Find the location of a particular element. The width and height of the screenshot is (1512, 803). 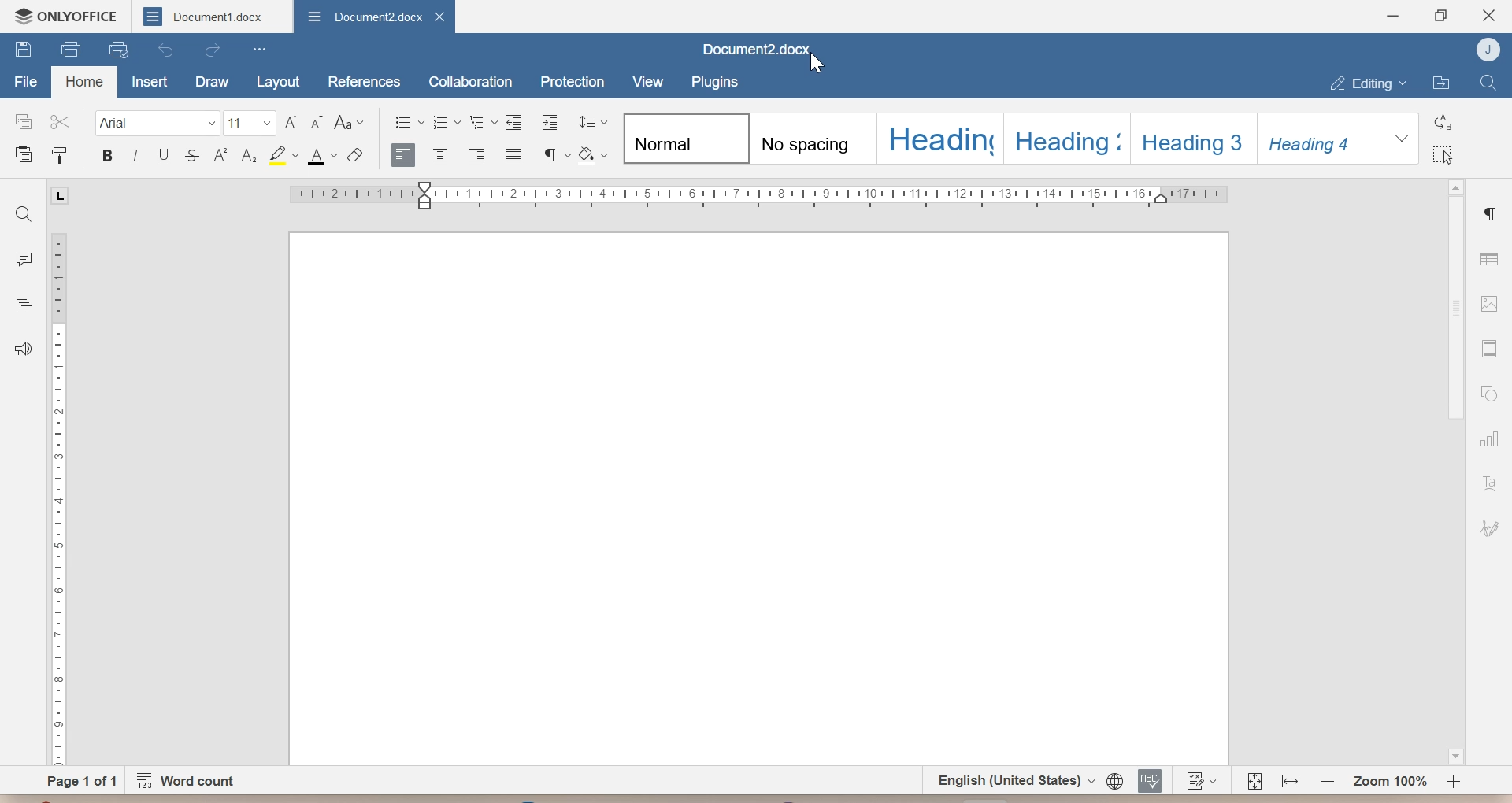

Copy style is located at coordinates (61, 152).